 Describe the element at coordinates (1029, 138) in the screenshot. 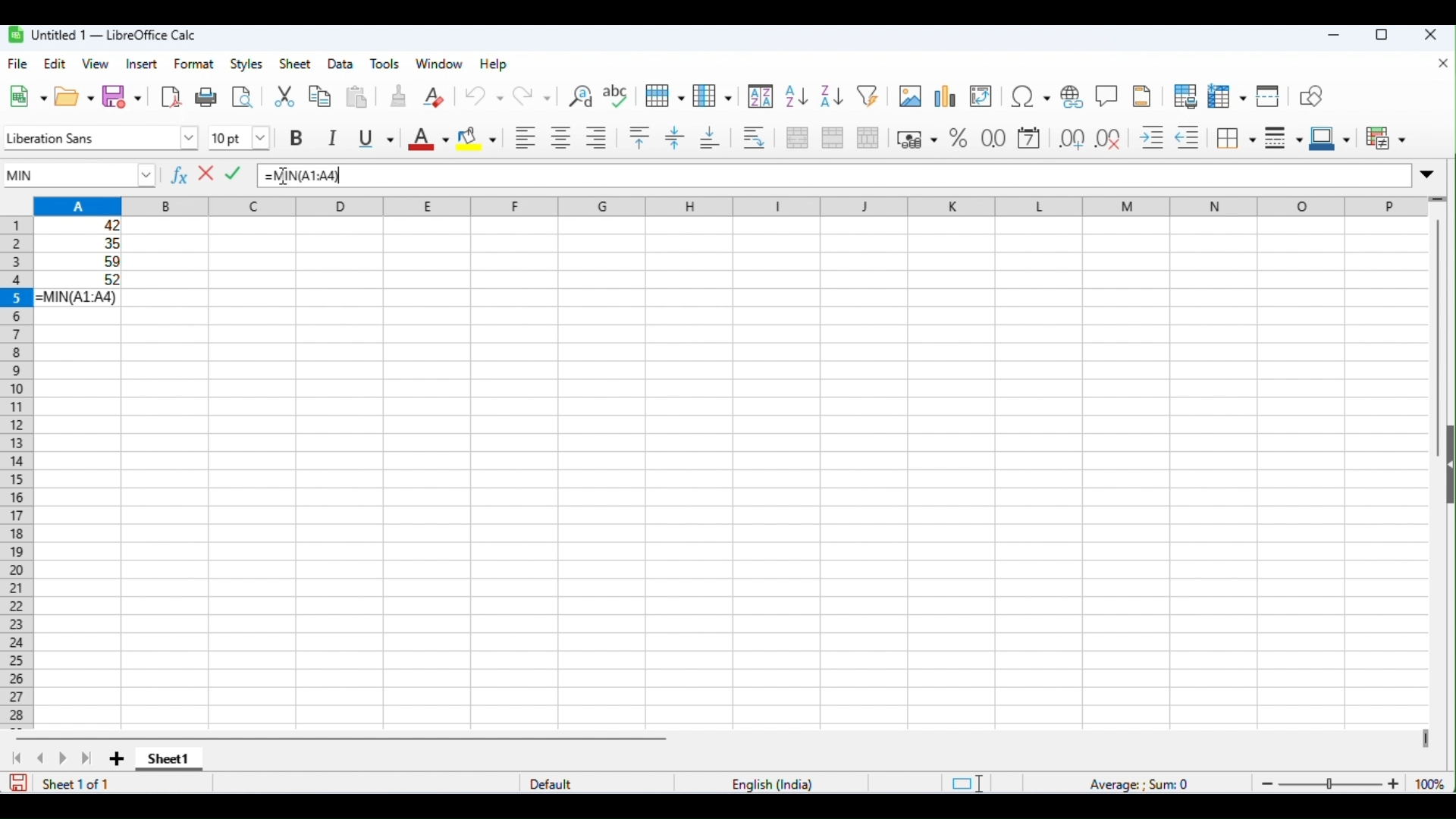

I see `format as date` at that location.